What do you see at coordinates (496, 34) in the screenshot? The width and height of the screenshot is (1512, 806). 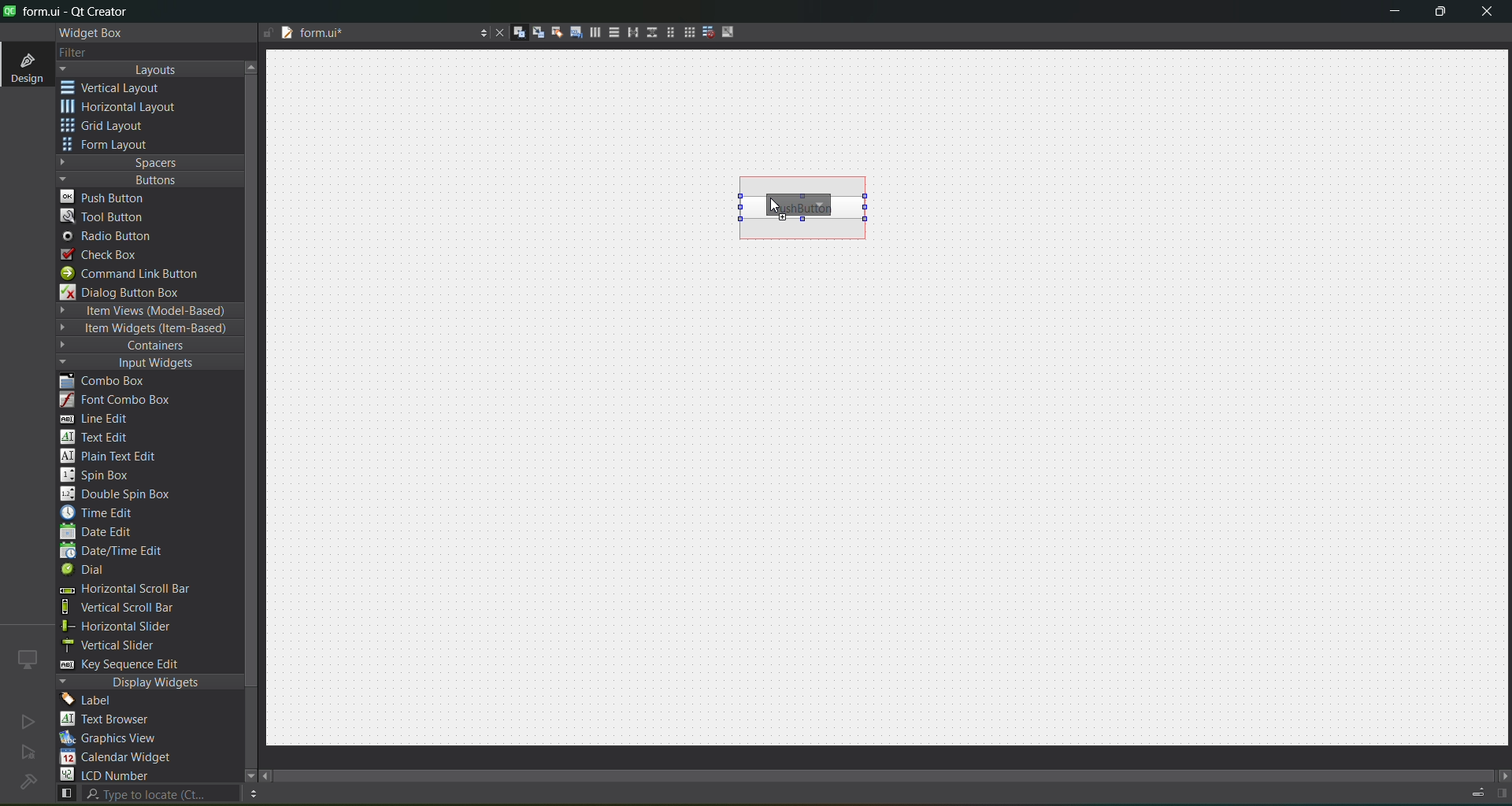 I see `close document` at bounding box center [496, 34].